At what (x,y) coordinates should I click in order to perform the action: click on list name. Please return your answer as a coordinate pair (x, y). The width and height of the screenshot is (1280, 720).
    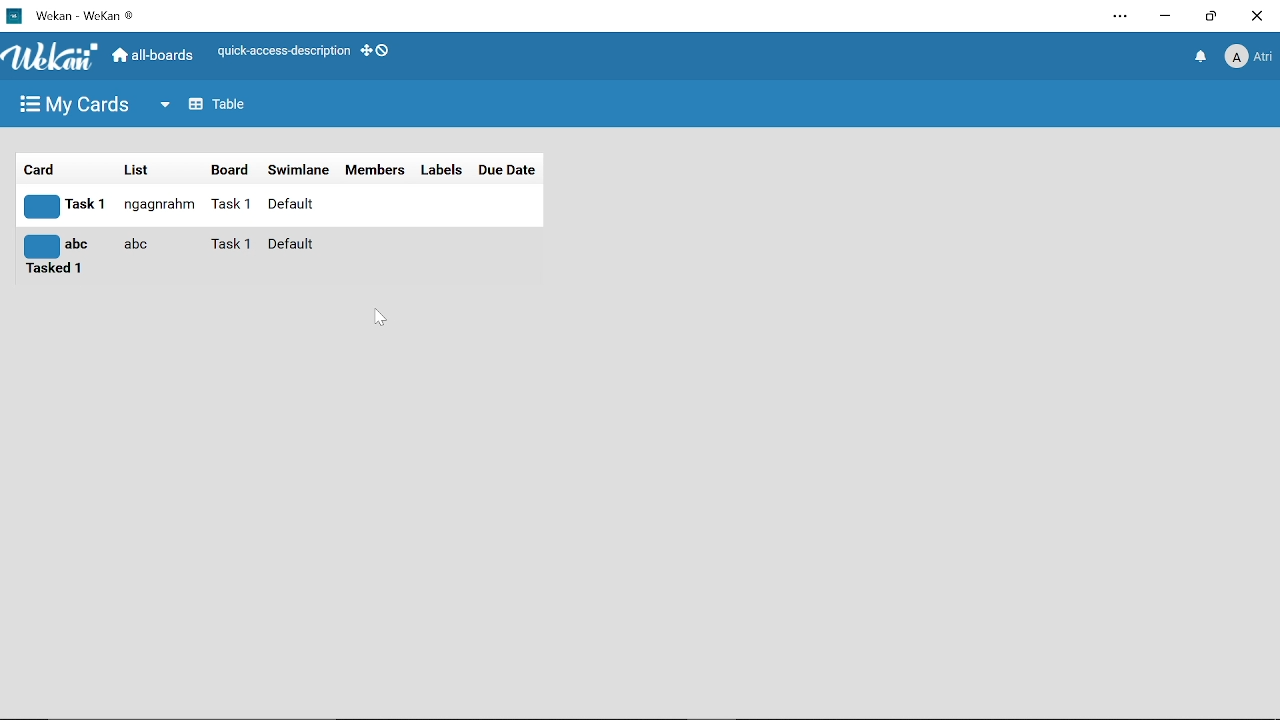
    Looking at the image, I should click on (141, 245).